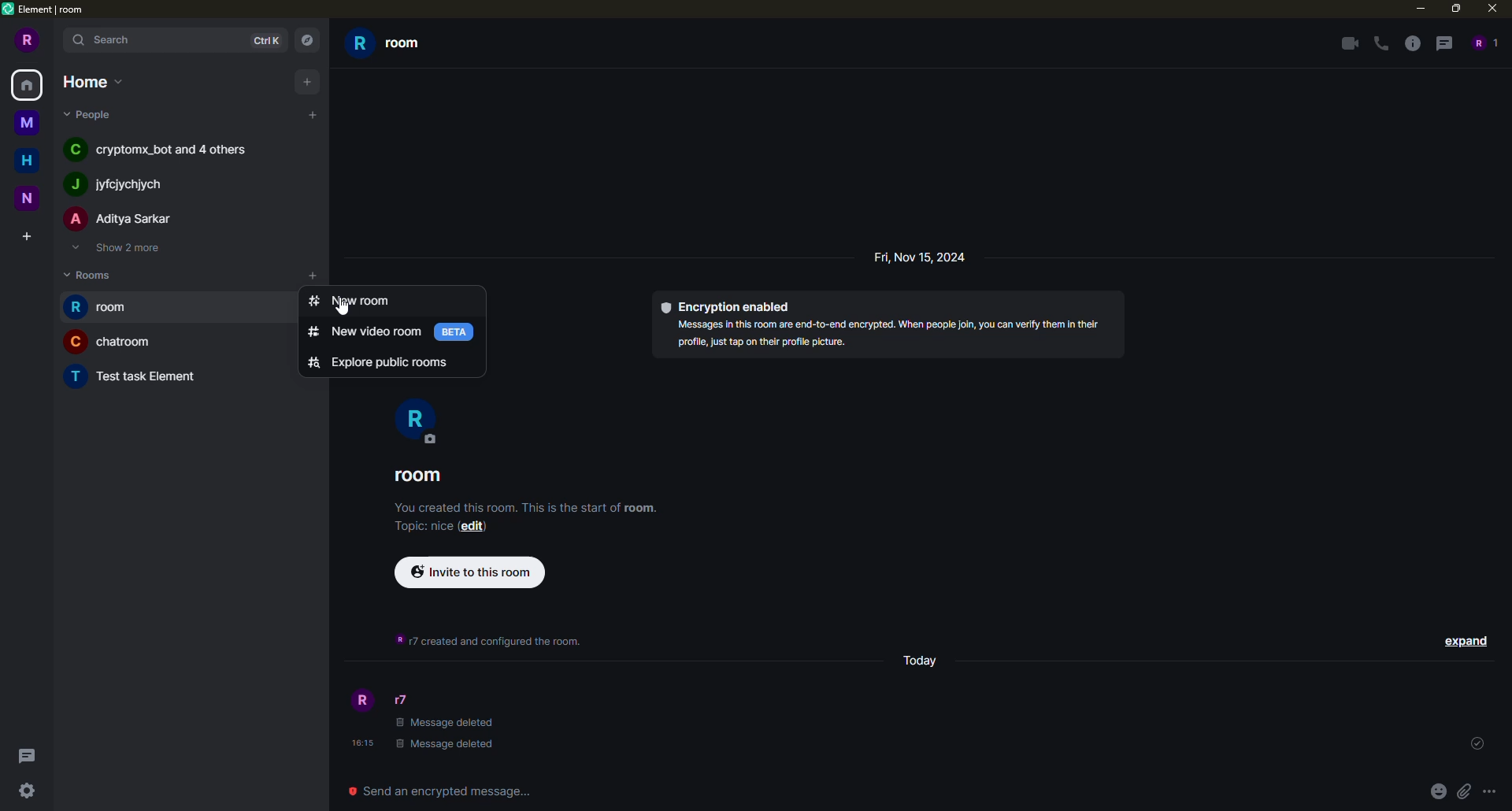  Describe the element at coordinates (123, 183) in the screenshot. I see `people` at that location.